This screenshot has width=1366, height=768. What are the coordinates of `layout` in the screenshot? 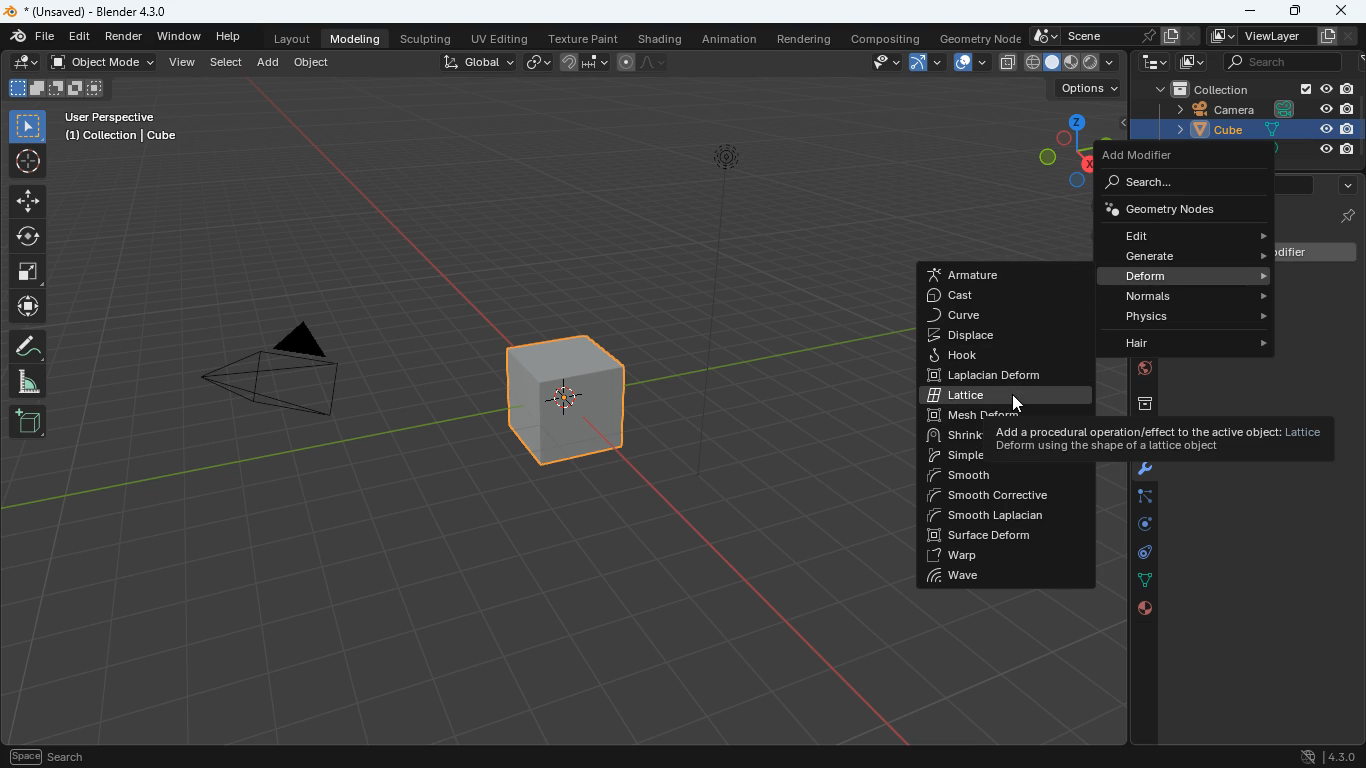 It's located at (292, 37).